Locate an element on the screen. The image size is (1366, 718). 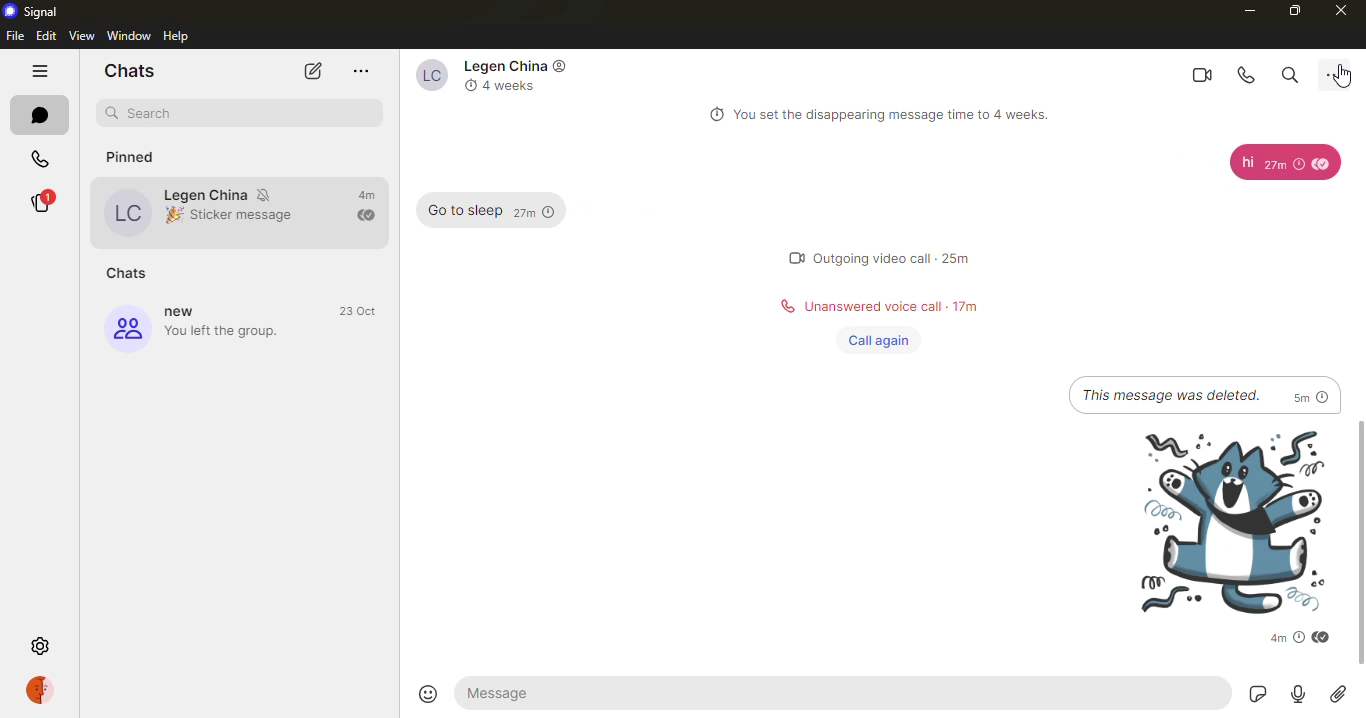
mute notifications is located at coordinates (267, 193).